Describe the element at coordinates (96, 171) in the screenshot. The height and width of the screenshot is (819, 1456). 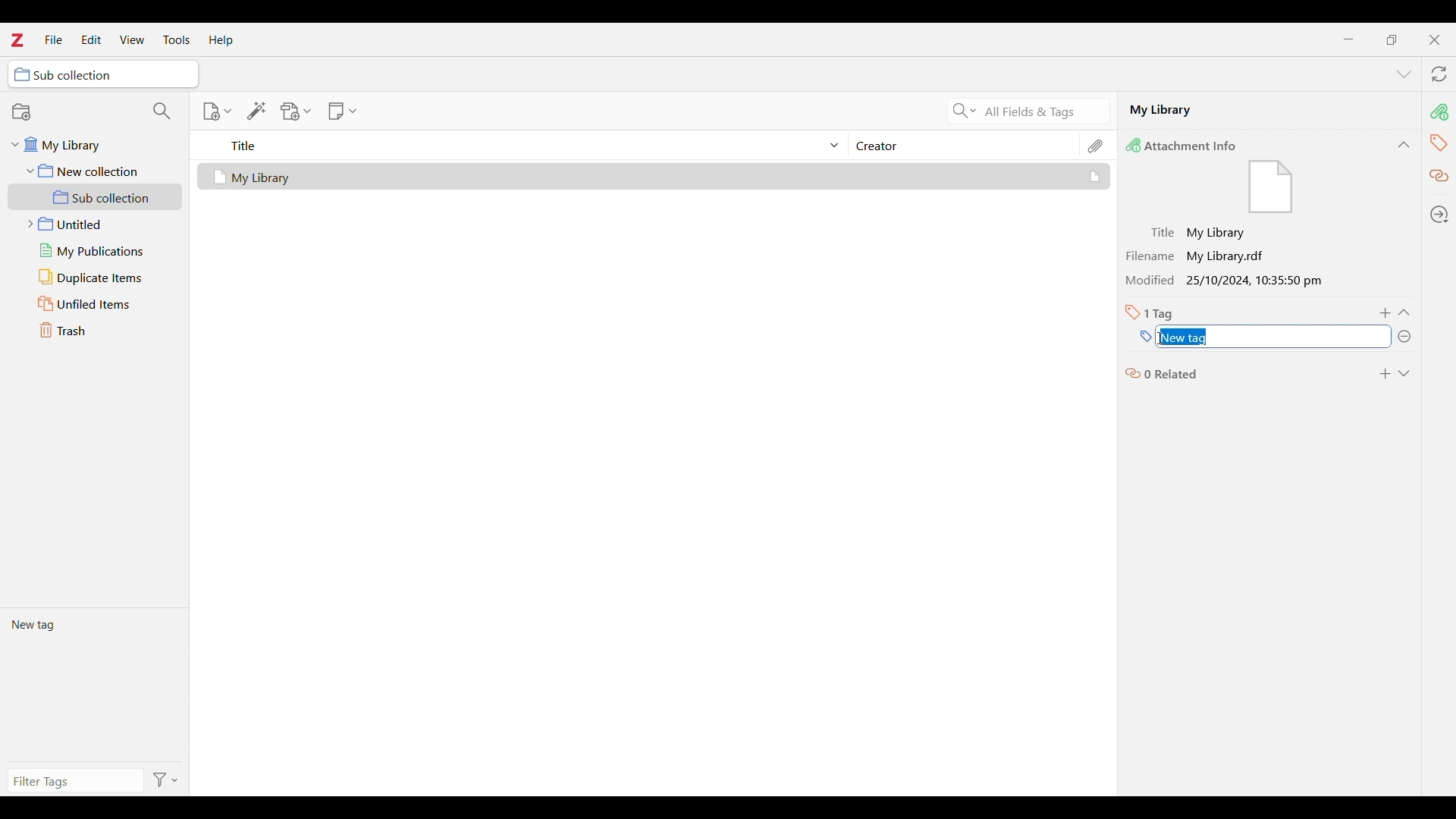
I see `New collection folder` at that location.